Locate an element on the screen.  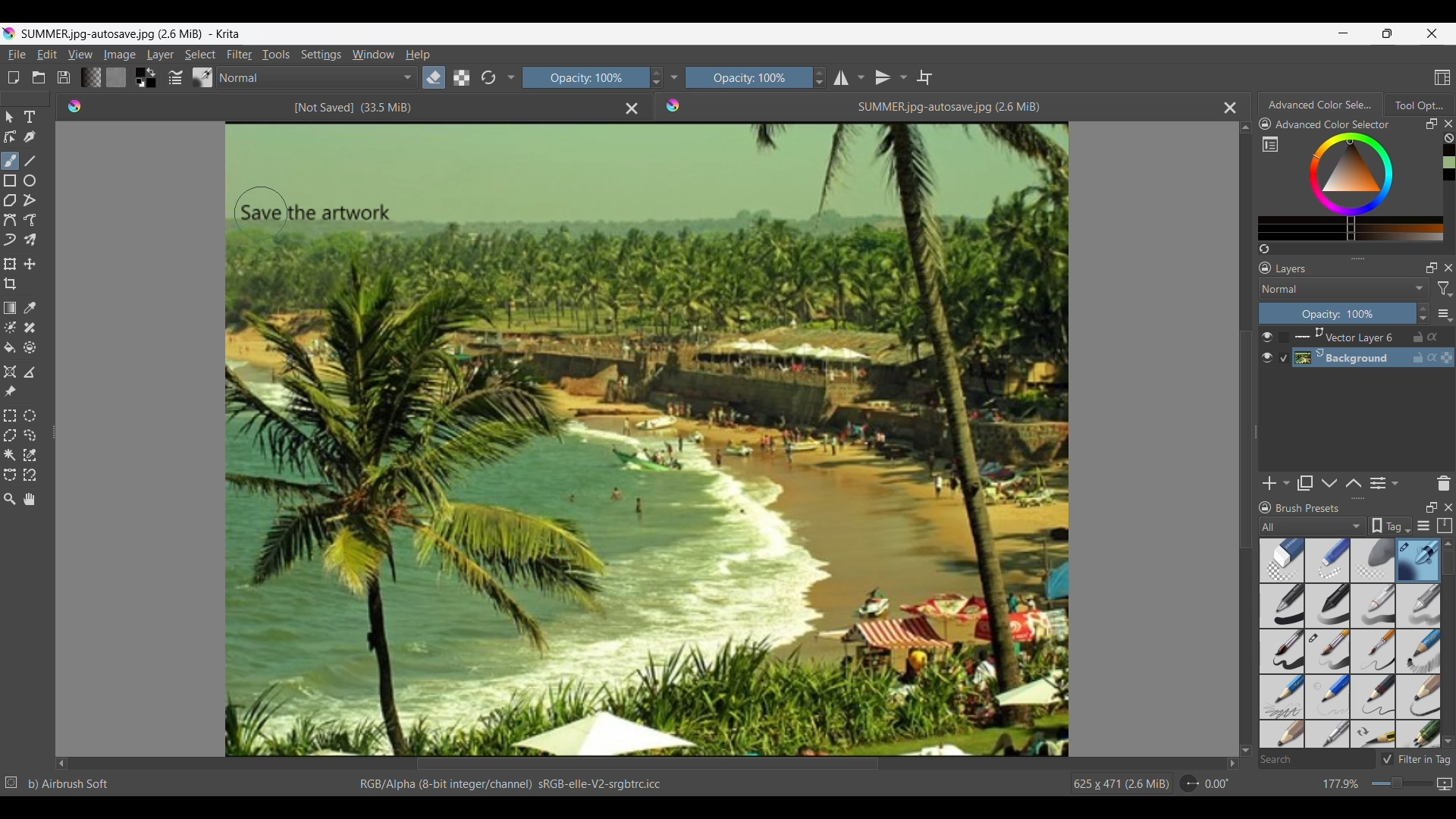
Increase/Decrease Opacity is located at coordinates (654, 78).